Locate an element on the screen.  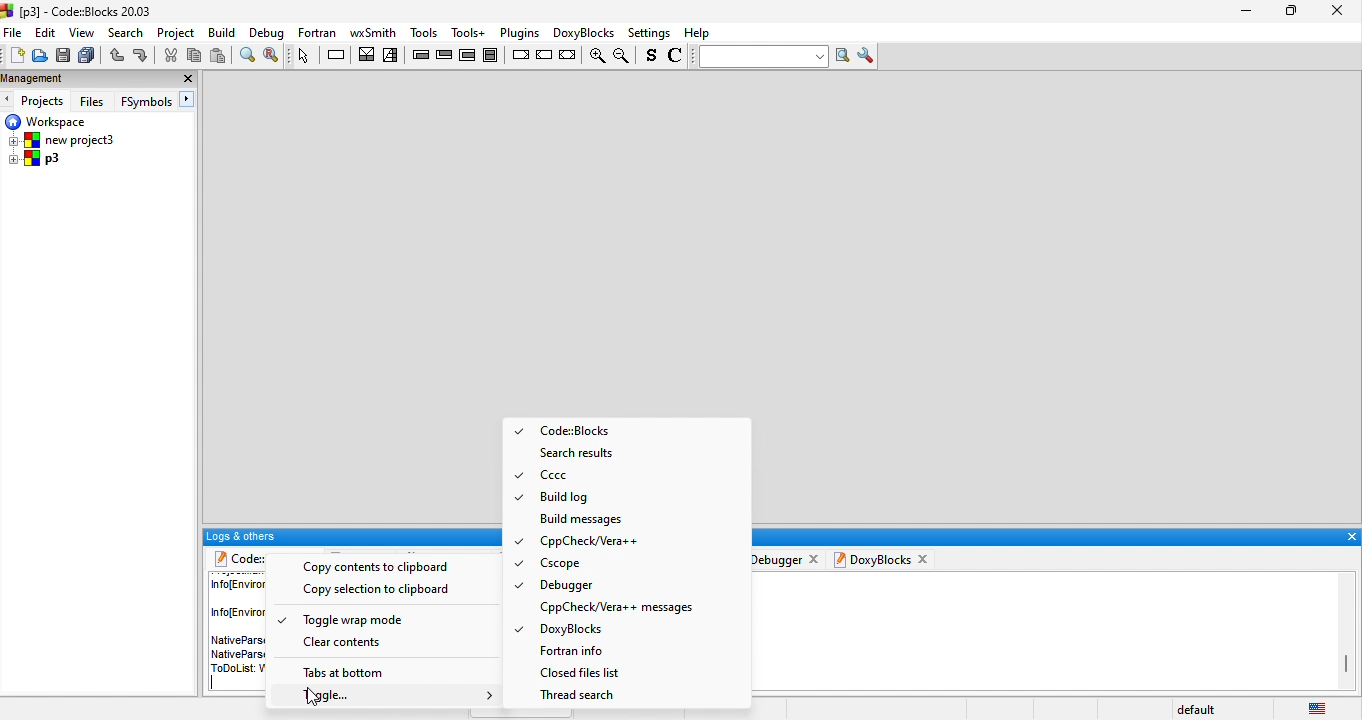
code-blocks 20.03 is located at coordinates (78, 10).